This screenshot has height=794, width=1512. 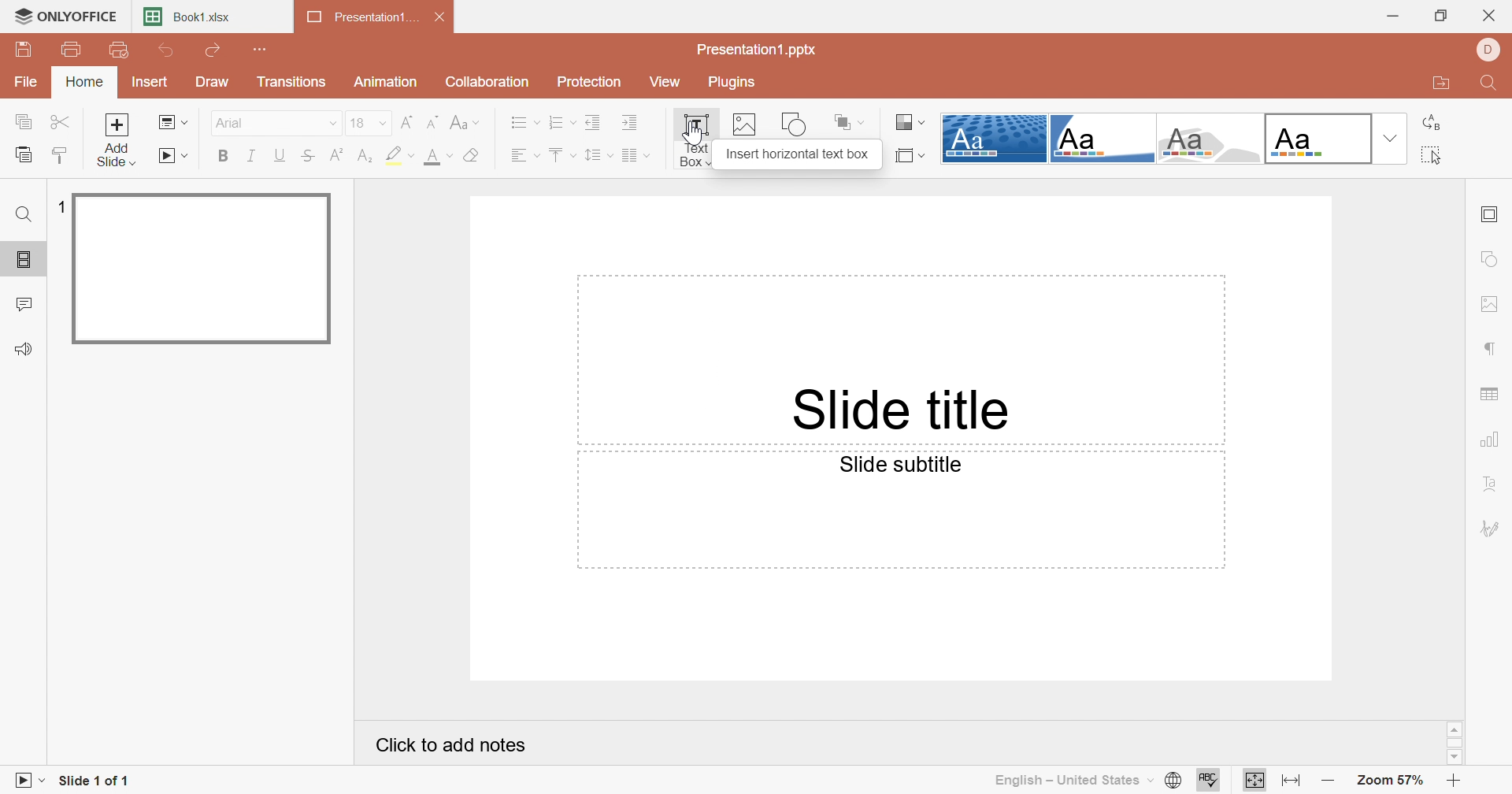 I want to click on Set document language, so click(x=1177, y=780).